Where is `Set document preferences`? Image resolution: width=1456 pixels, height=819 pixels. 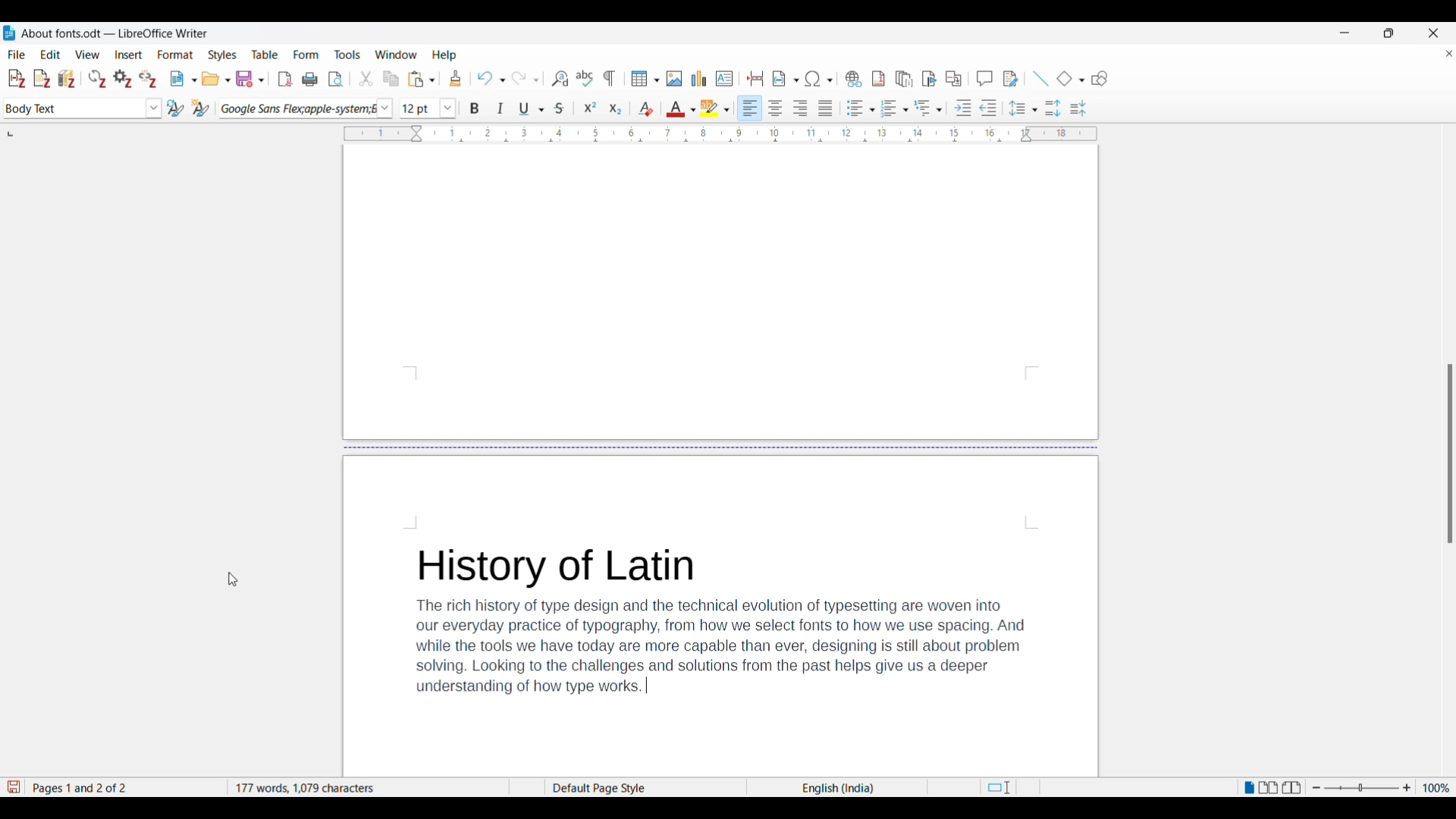
Set document preferences is located at coordinates (123, 79).